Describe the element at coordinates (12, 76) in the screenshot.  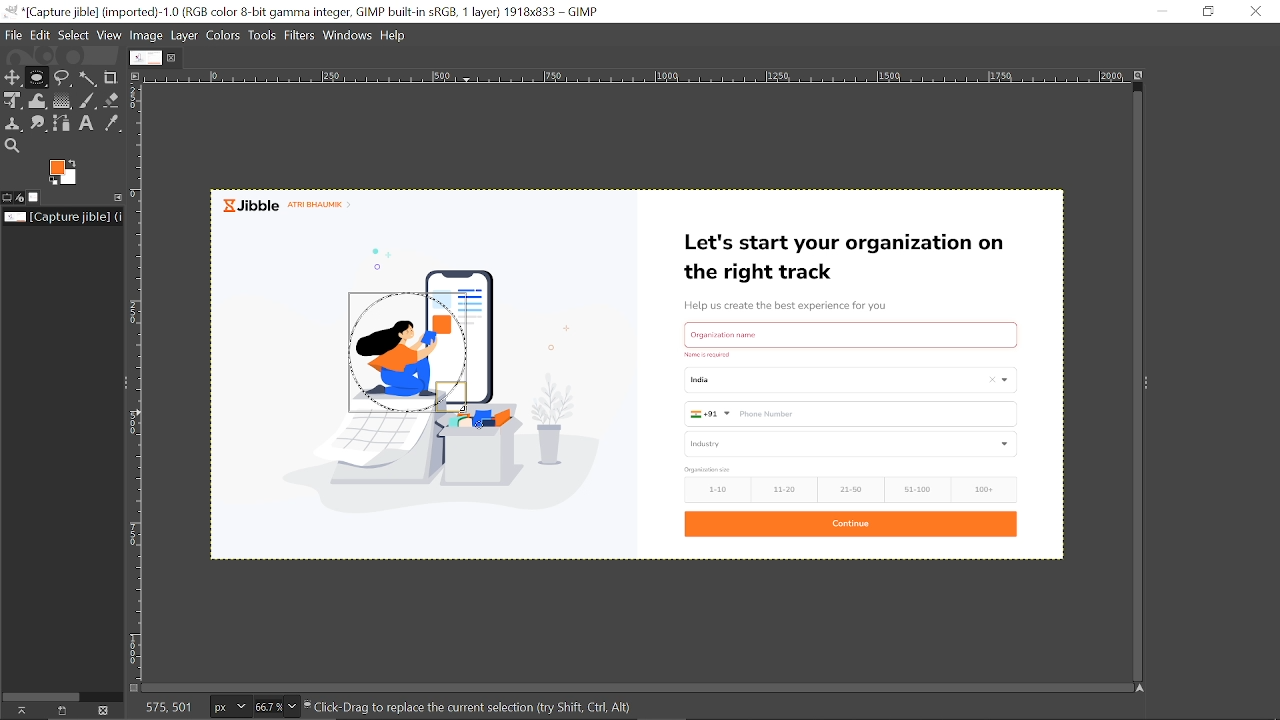
I see `Move tool` at that location.